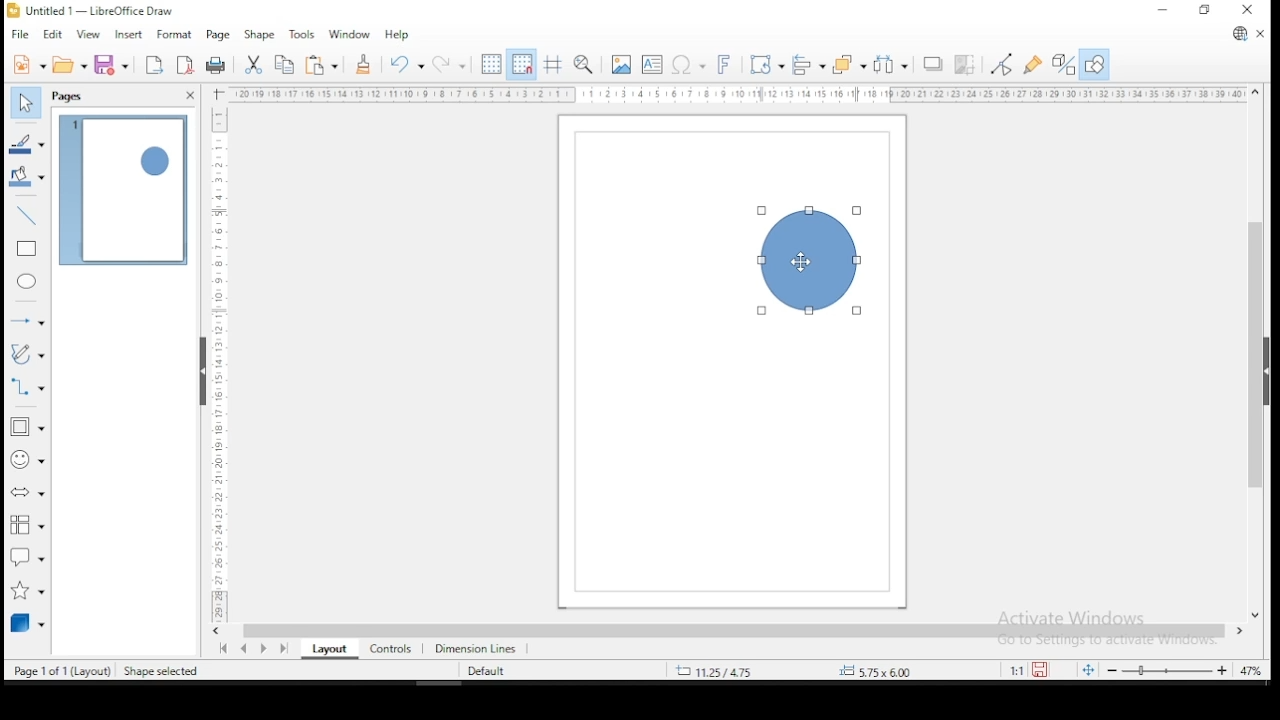  Describe the element at coordinates (724, 62) in the screenshot. I see `insert fontwork text` at that location.